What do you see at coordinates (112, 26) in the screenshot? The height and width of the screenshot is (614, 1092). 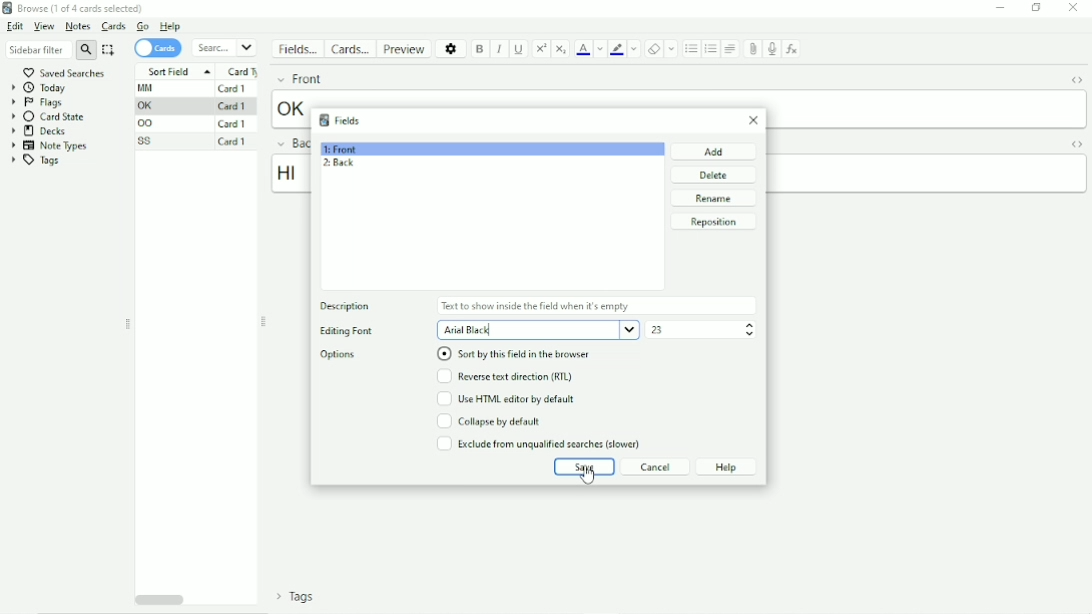 I see `Cards` at bounding box center [112, 26].